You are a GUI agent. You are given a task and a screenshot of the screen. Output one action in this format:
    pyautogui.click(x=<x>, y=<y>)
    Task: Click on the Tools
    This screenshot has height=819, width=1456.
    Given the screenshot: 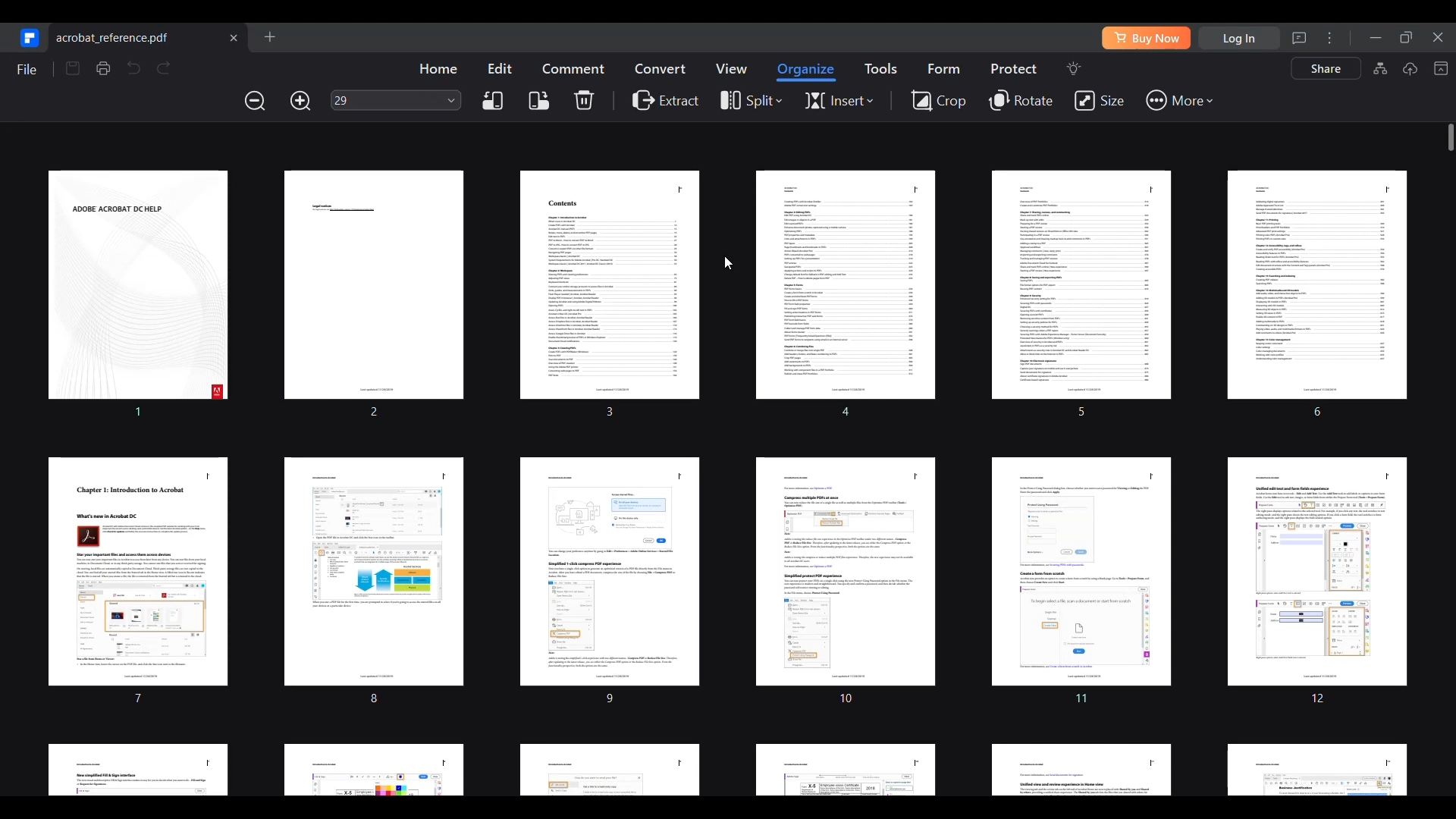 What is the action you would take?
    pyautogui.click(x=880, y=68)
    